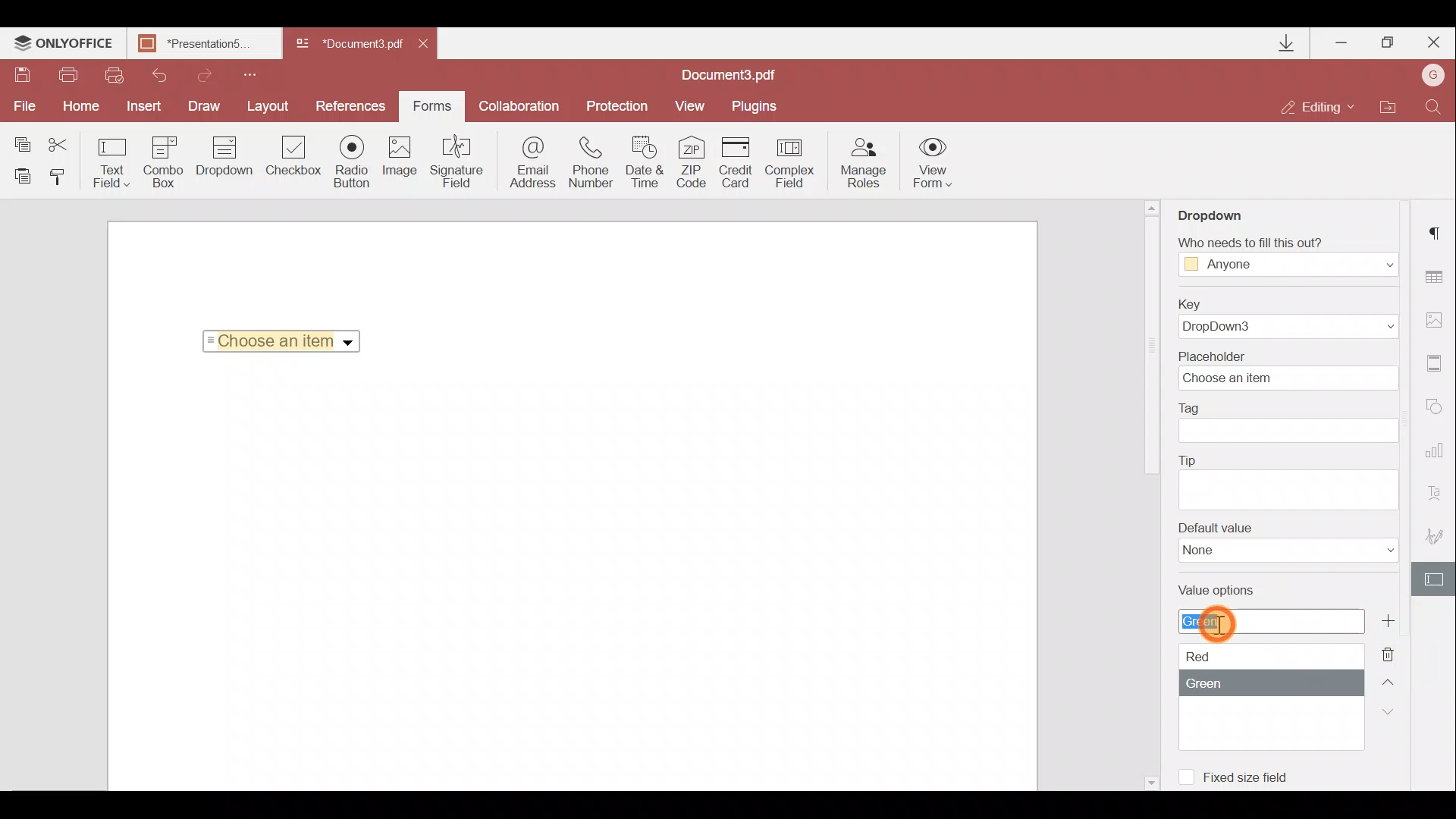 Image resolution: width=1456 pixels, height=819 pixels. I want to click on Scroll up, so click(1153, 207).